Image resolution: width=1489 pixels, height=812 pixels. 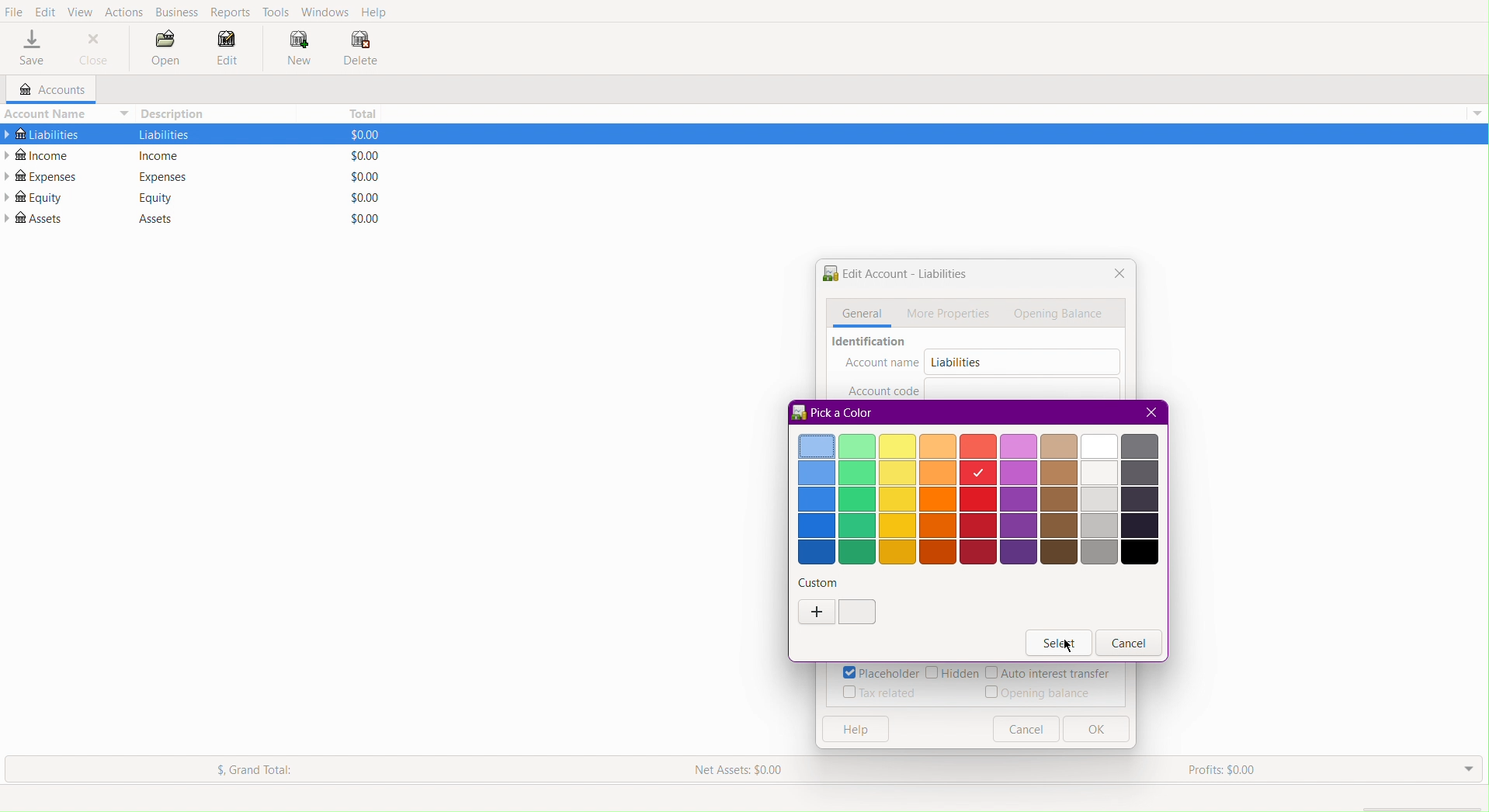 What do you see at coordinates (292, 48) in the screenshot?
I see `New` at bounding box center [292, 48].